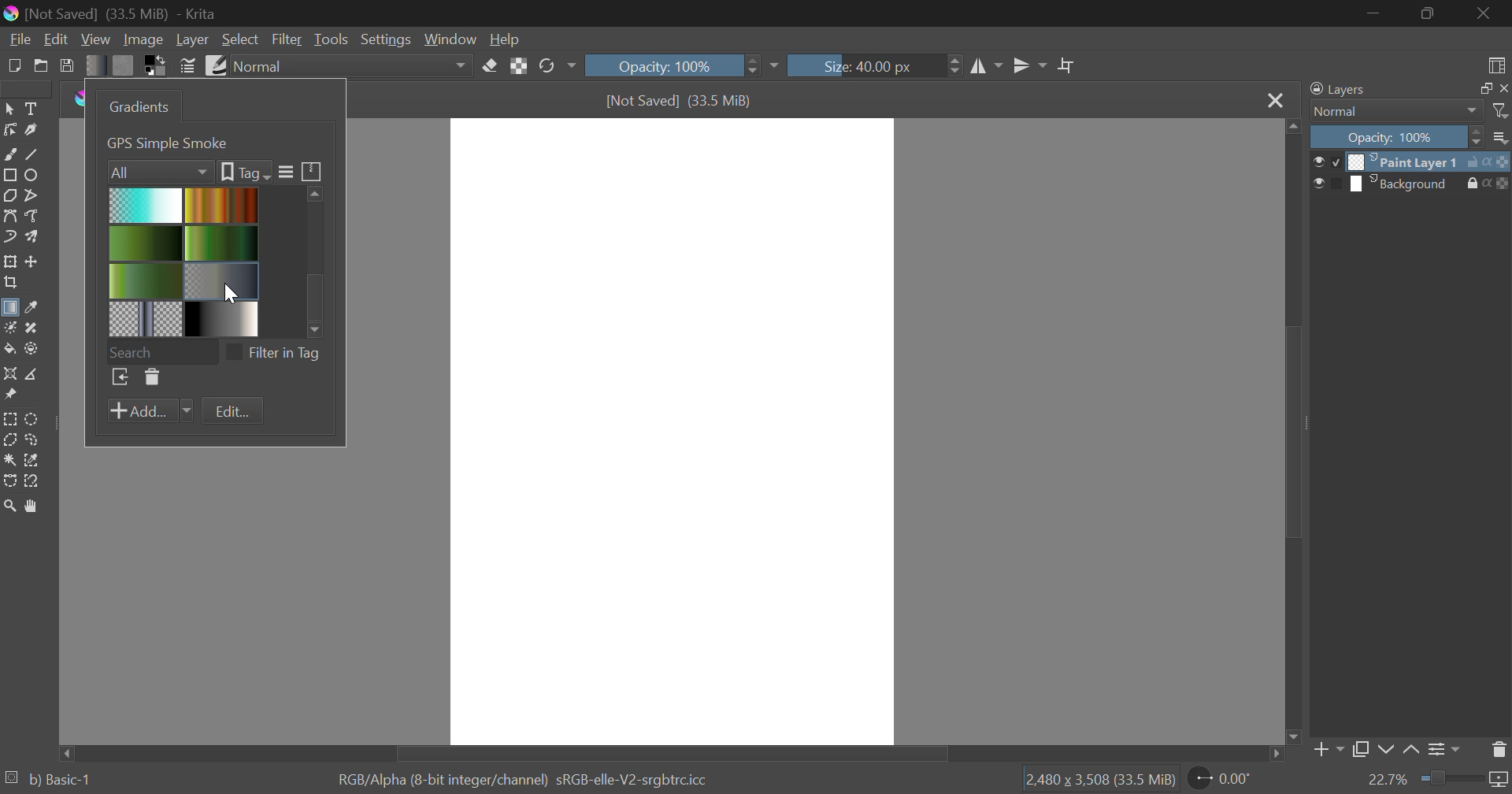 The image size is (1512, 794). What do you see at coordinates (9, 284) in the screenshot?
I see `Crop Layer` at bounding box center [9, 284].